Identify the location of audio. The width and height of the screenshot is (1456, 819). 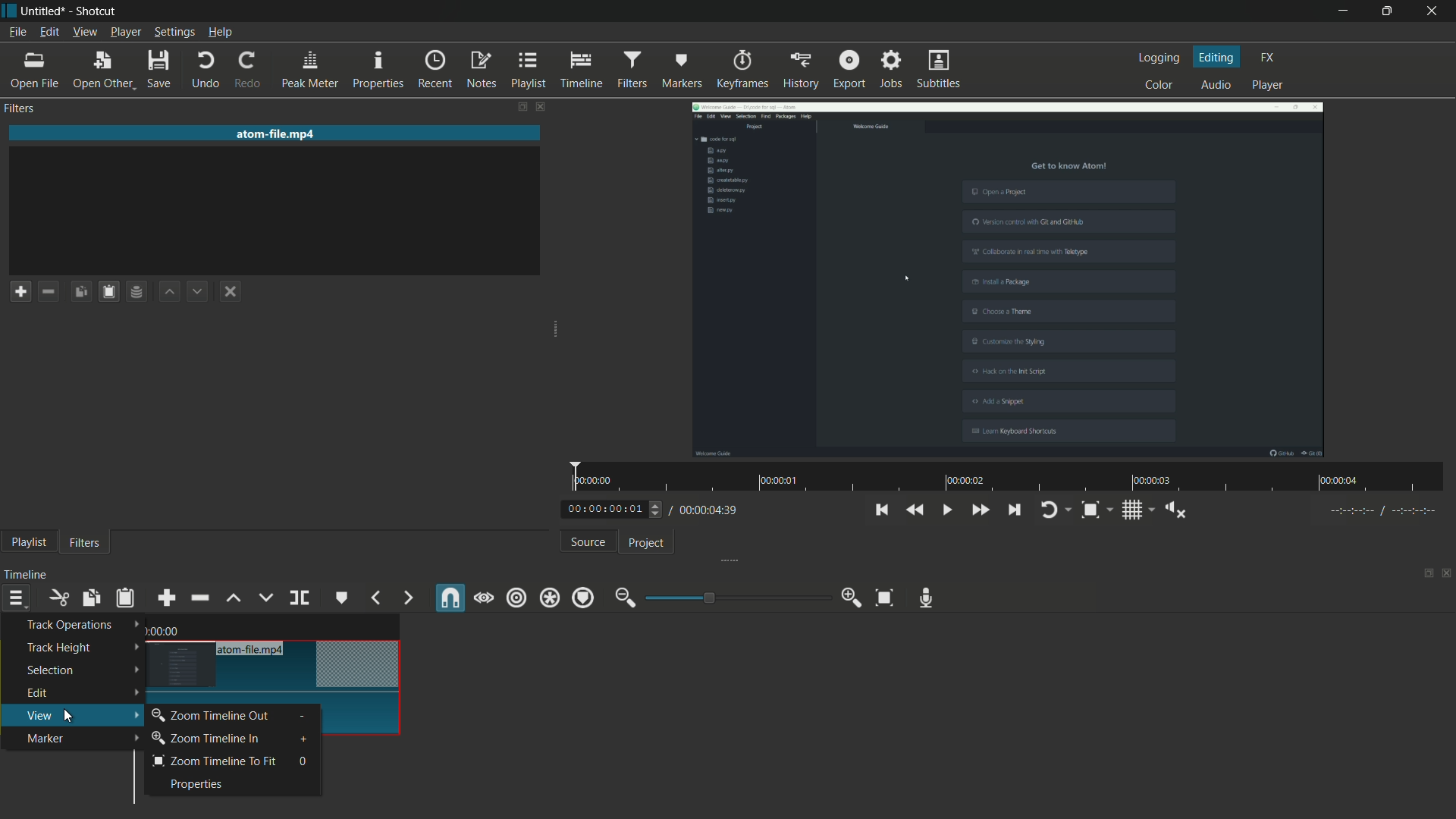
(1218, 84).